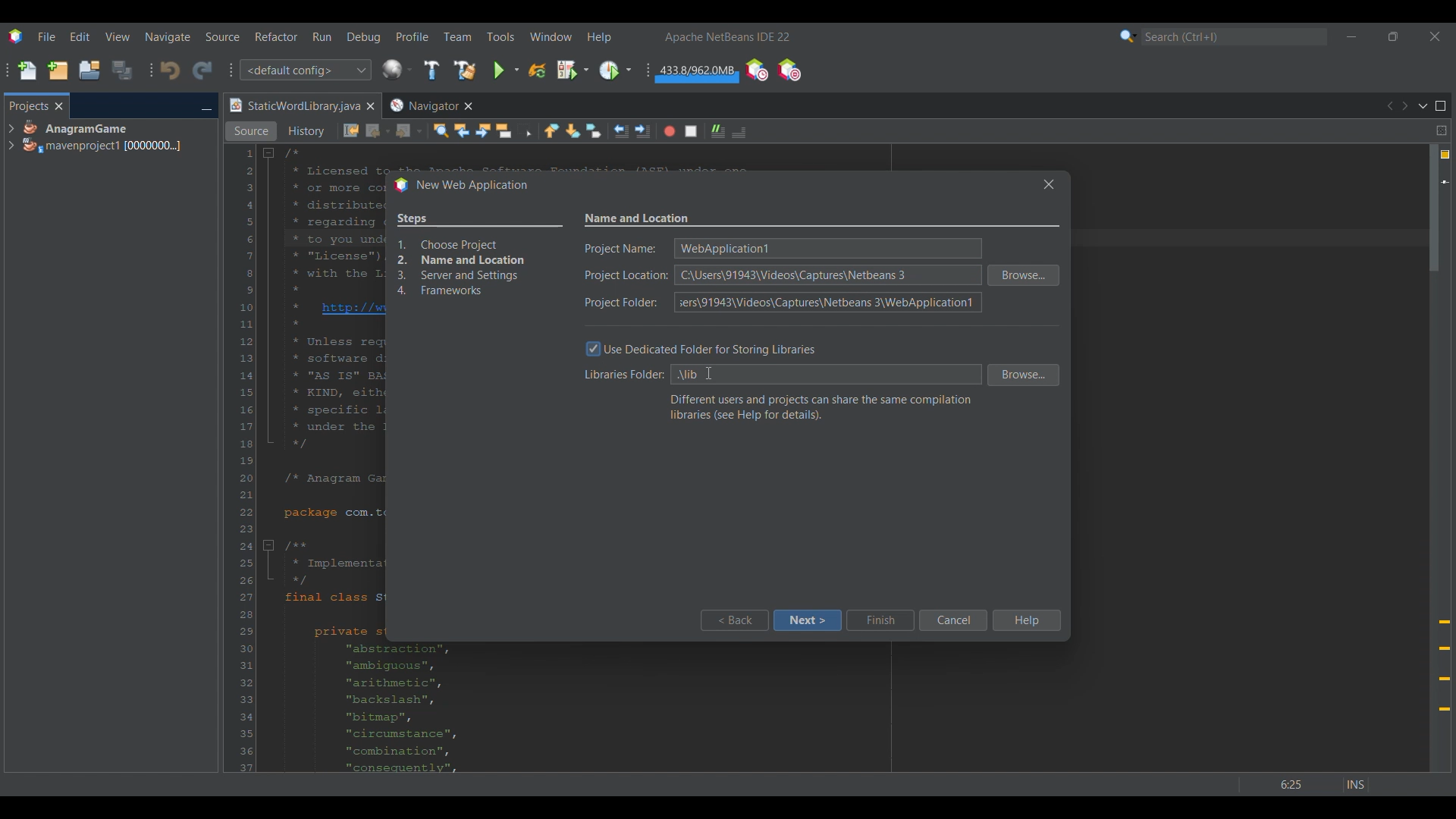 Image resolution: width=1456 pixels, height=819 pixels. What do you see at coordinates (170, 71) in the screenshot?
I see `Undo` at bounding box center [170, 71].